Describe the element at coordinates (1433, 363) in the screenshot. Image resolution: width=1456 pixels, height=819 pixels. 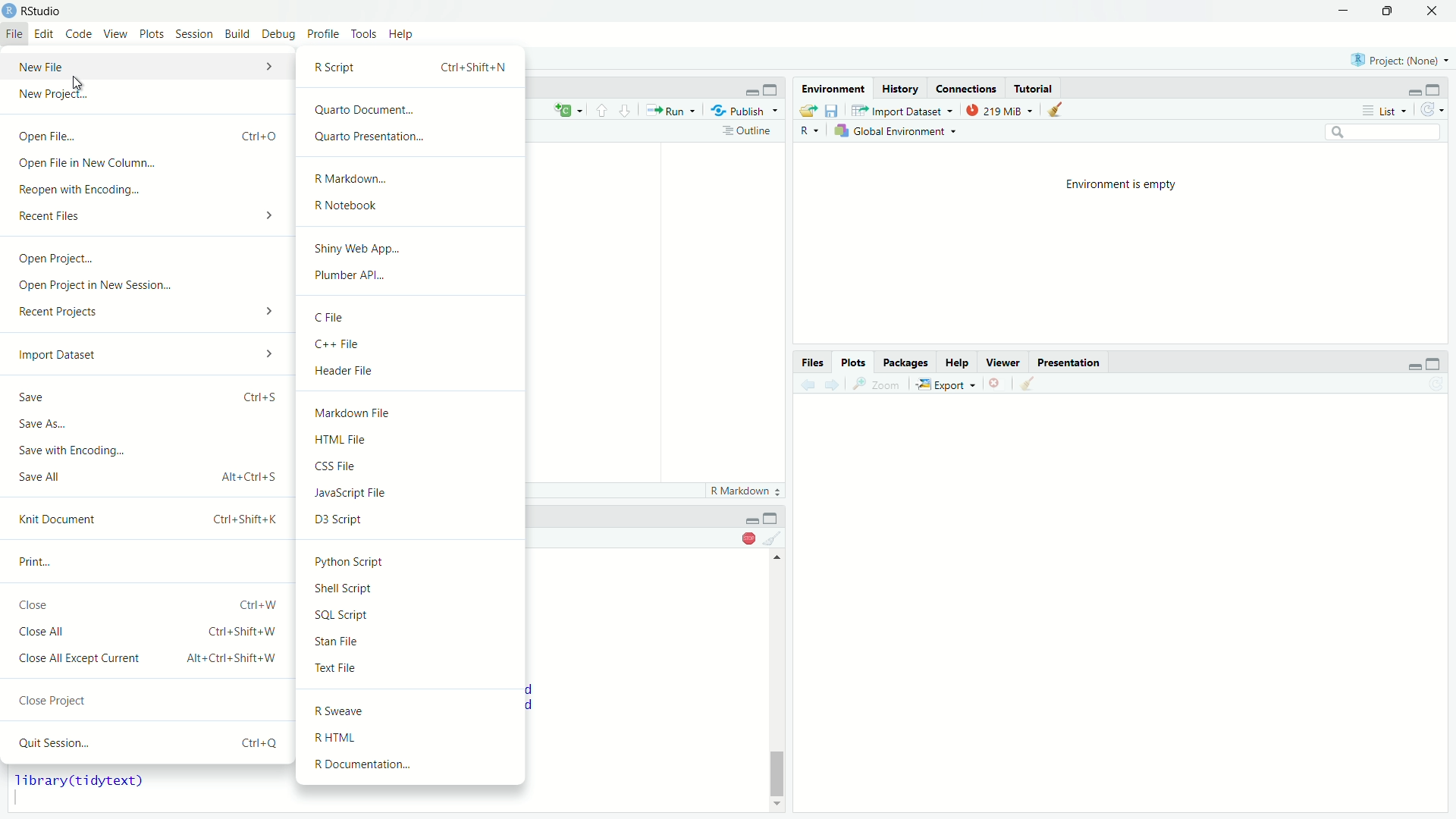
I see `maximize` at that location.